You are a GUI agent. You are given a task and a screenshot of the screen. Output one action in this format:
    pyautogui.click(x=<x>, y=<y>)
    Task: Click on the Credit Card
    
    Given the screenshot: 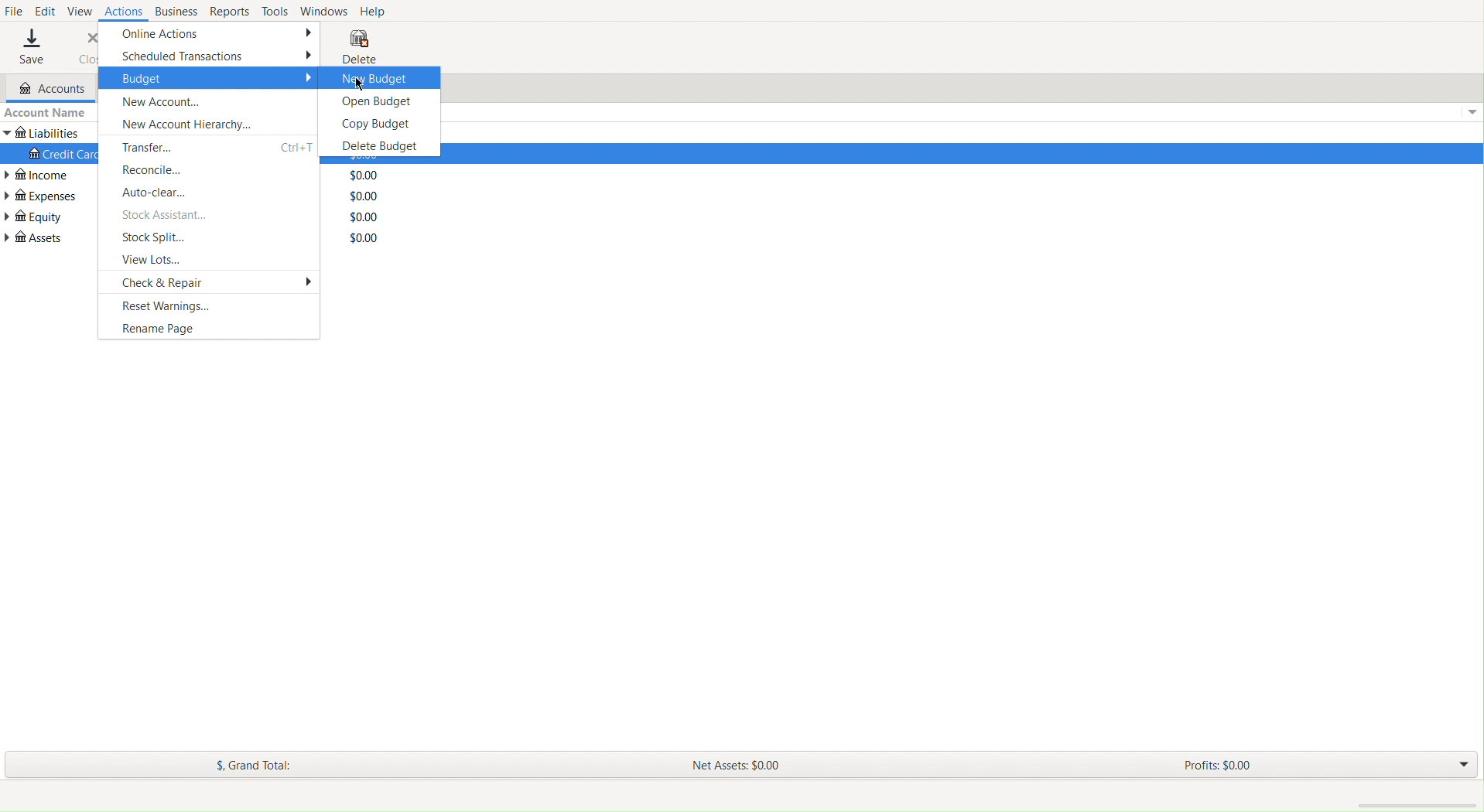 What is the action you would take?
    pyautogui.click(x=59, y=155)
    